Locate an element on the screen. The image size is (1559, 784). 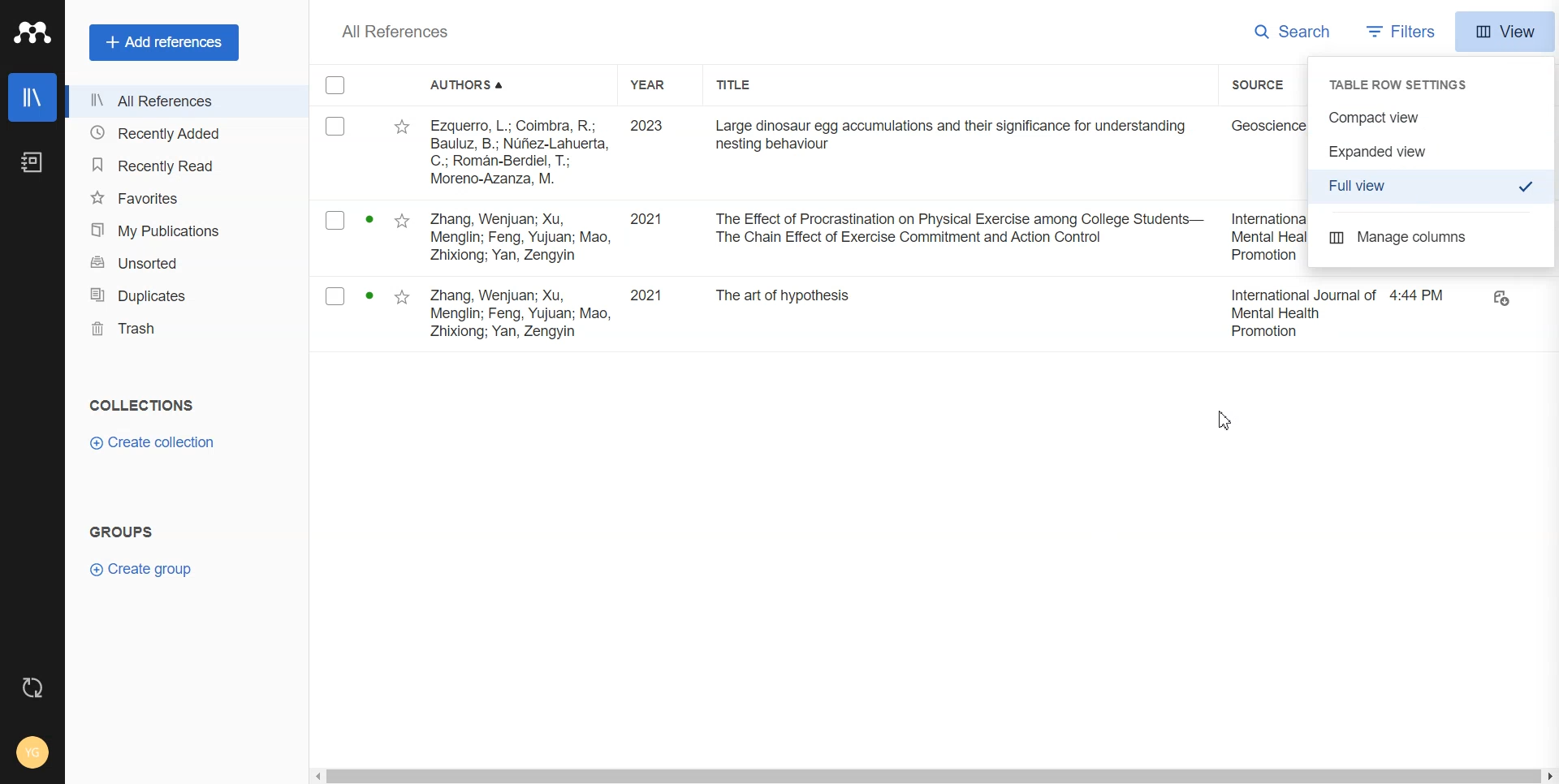
Trash is located at coordinates (173, 329).